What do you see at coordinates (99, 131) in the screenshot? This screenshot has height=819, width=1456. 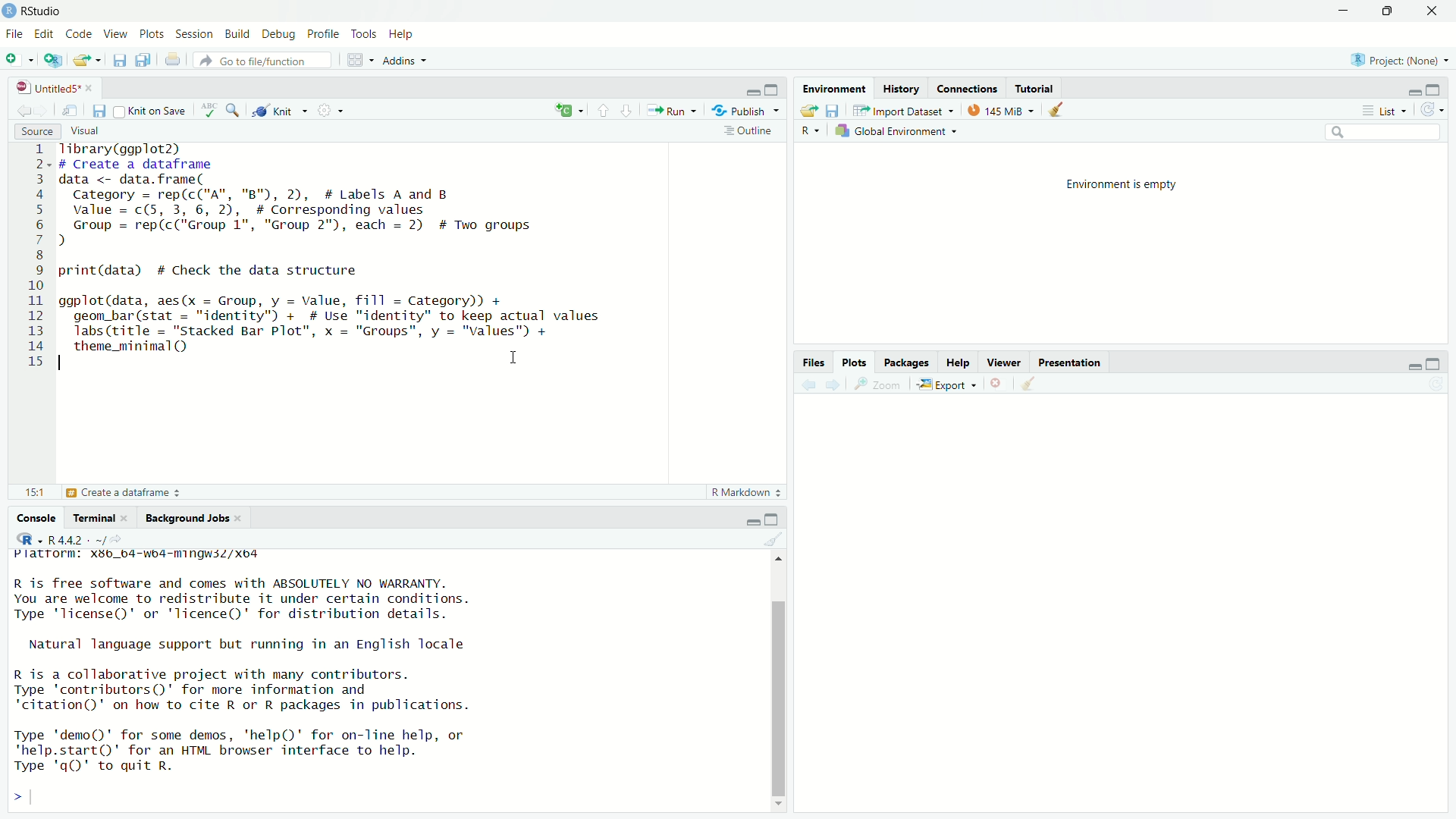 I see `Visual` at bounding box center [99, 131].